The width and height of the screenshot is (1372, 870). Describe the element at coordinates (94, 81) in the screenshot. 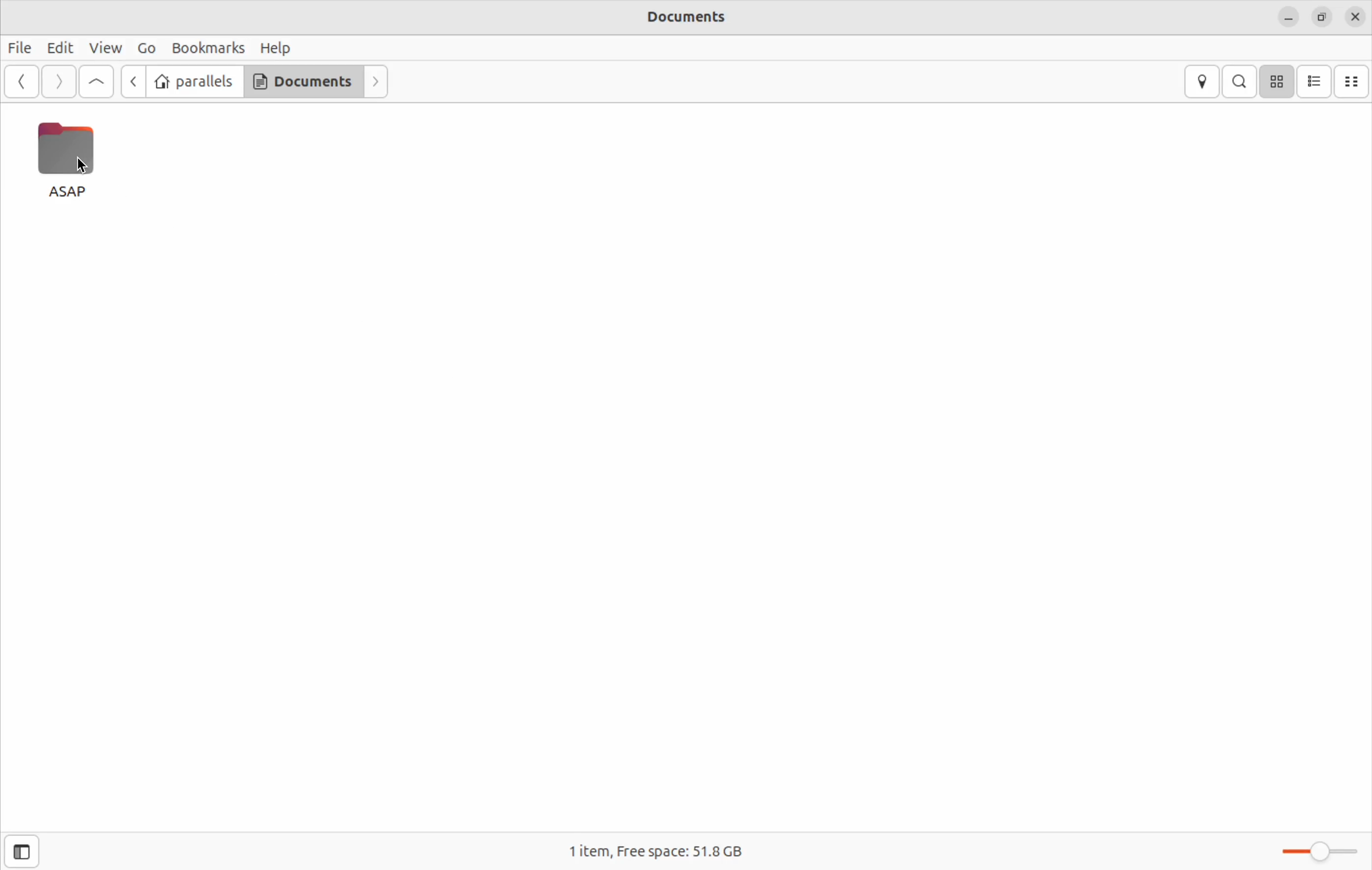

I see `go up` at that location.